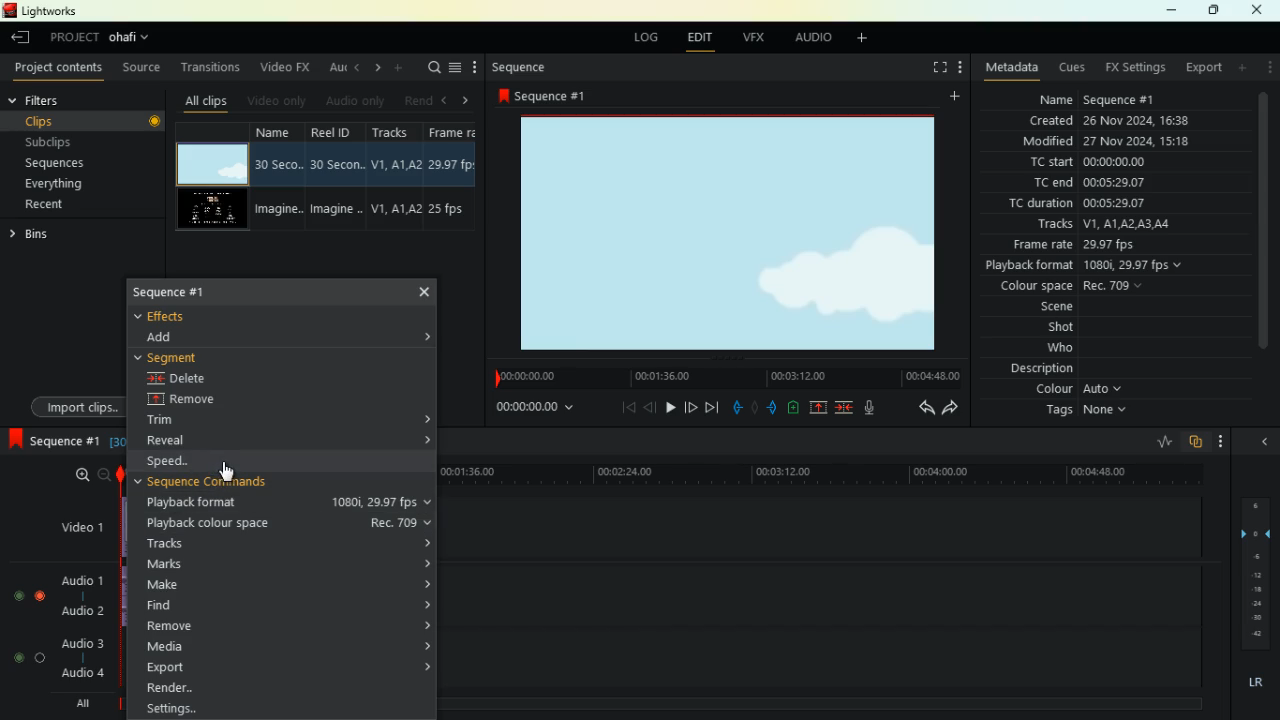 The height and width of the screenshot is (720, 1280). I want to click on tc start, so click(1112, 161).